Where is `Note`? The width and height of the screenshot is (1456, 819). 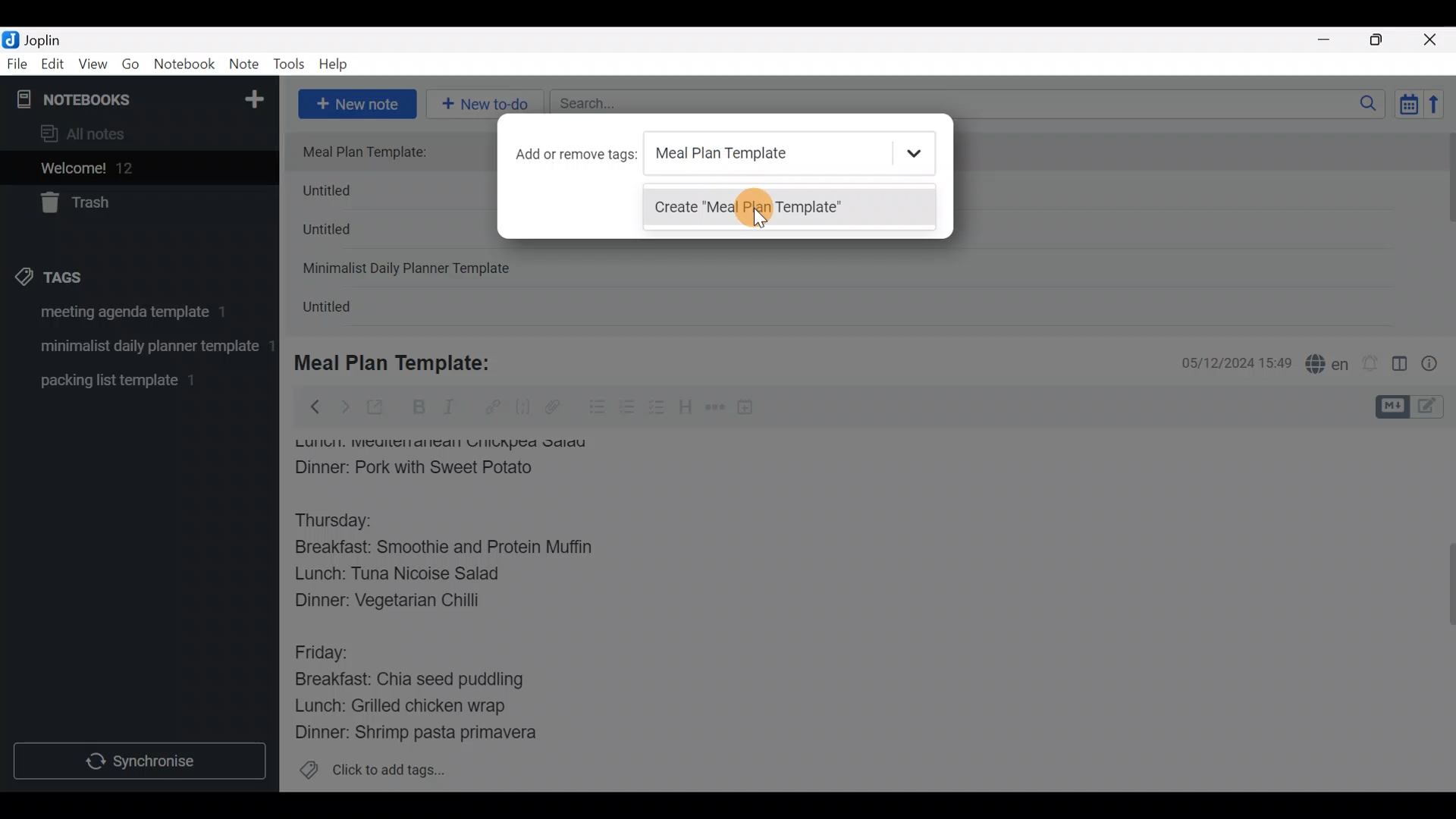
Note is located at coordinates (247, 65).